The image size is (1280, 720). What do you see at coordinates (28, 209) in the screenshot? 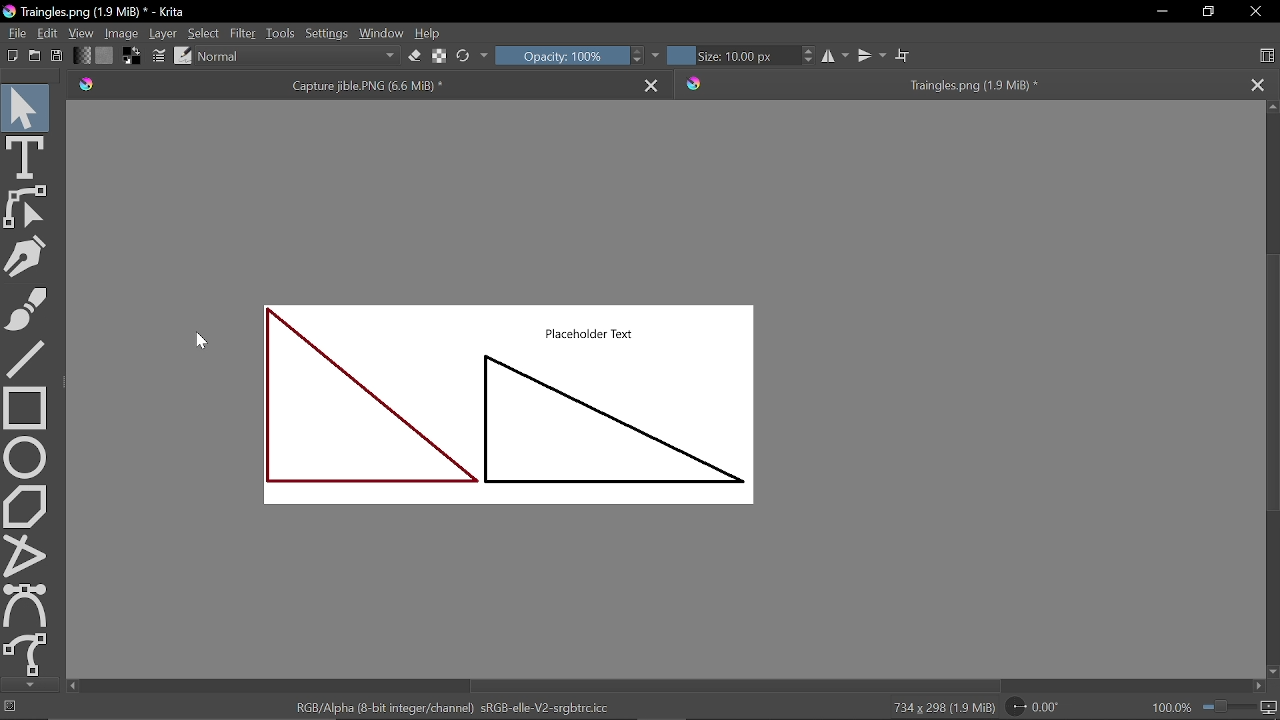
I see `Edit shapes tool` at bounding box center [28, 209].